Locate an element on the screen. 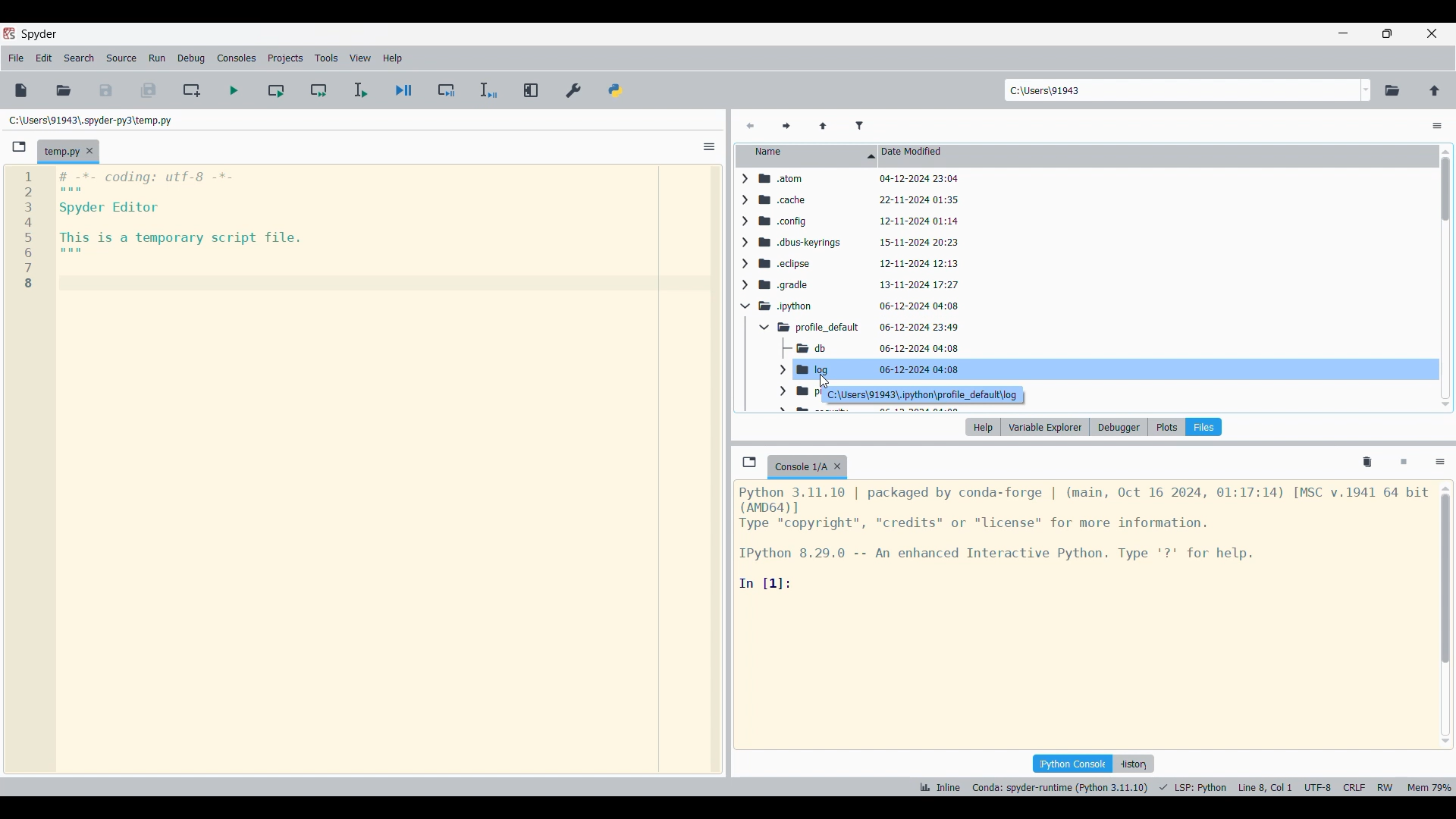  Run current cell and fo to next one is located at coordinates (318, 89).